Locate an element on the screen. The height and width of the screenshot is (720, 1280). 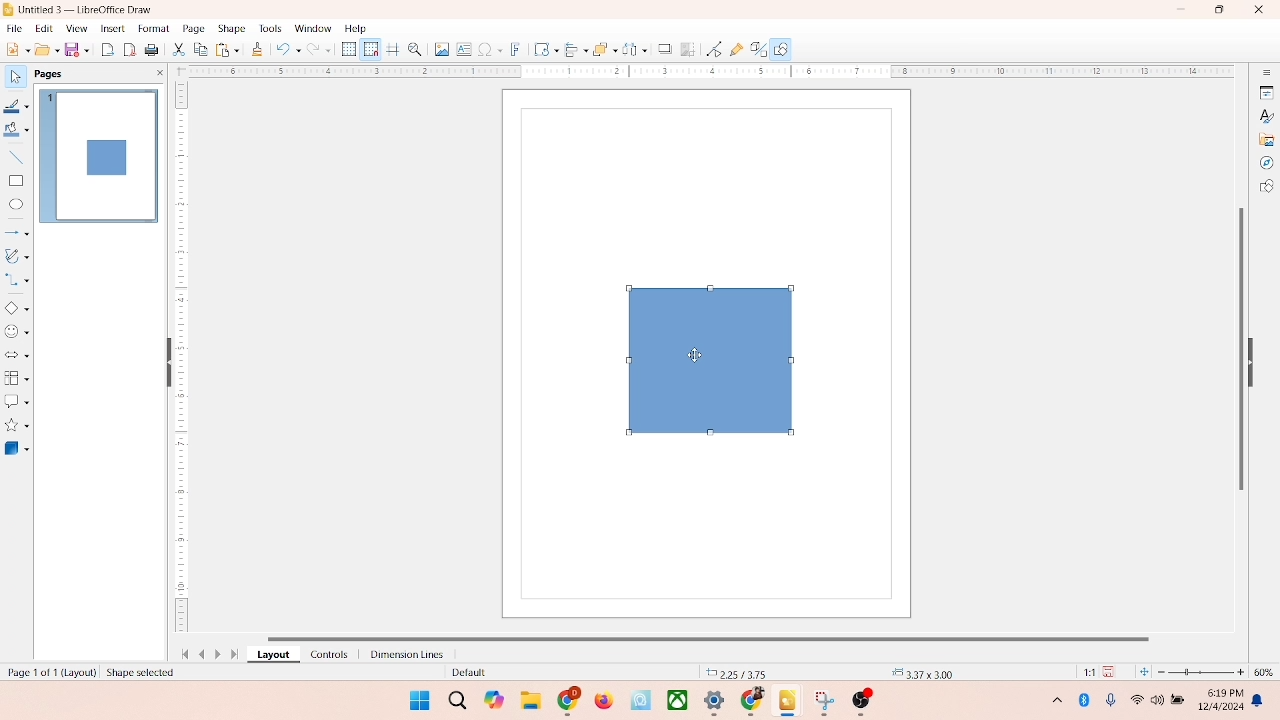
copy is located at coordinates (200, 51).